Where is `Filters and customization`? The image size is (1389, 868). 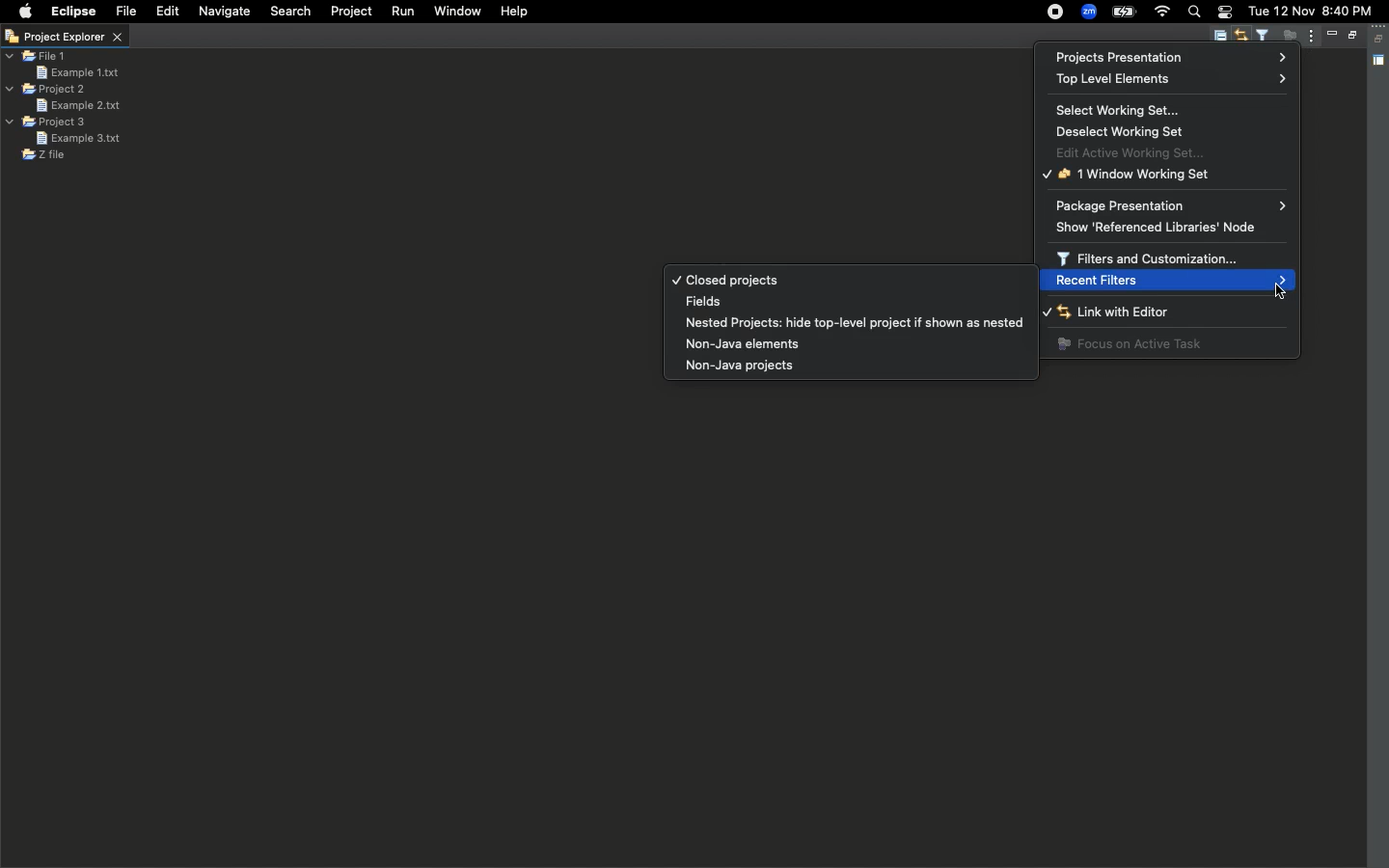 Filters and customization is located at coordinates (1155, 258).